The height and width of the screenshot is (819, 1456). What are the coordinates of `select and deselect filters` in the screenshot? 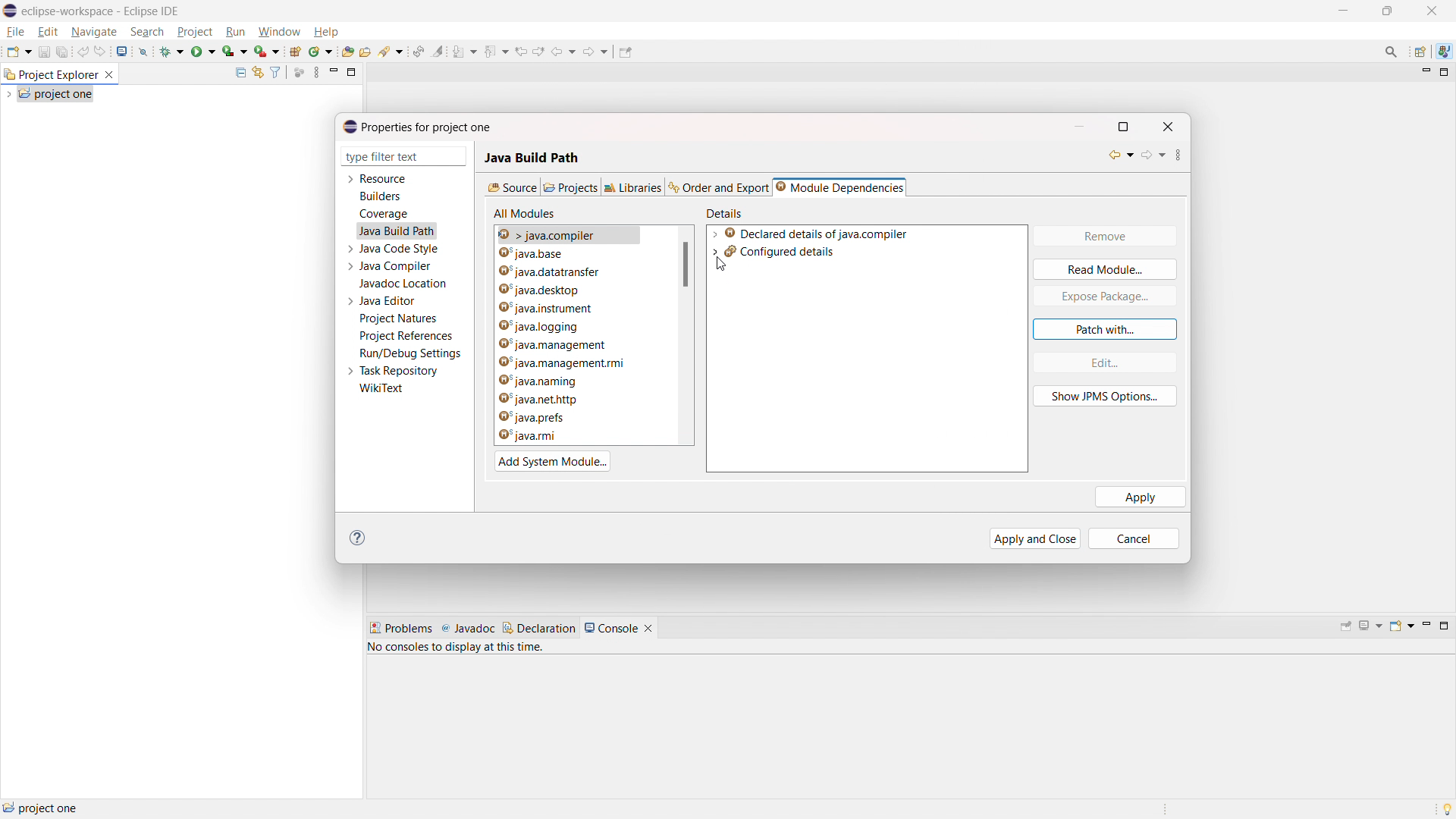 It's located at (275, 73).